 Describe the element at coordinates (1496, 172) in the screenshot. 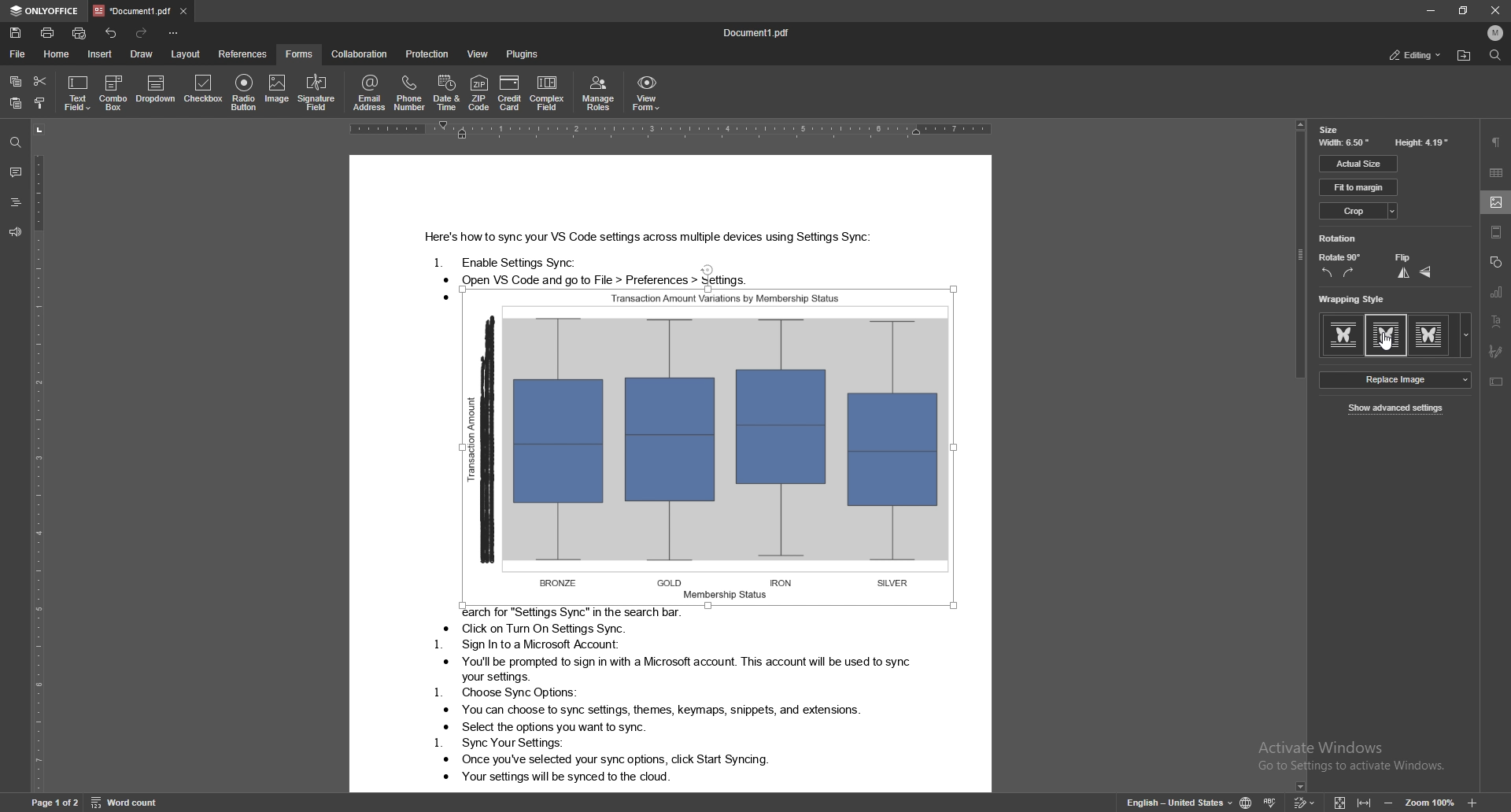

I see `table` at that location.